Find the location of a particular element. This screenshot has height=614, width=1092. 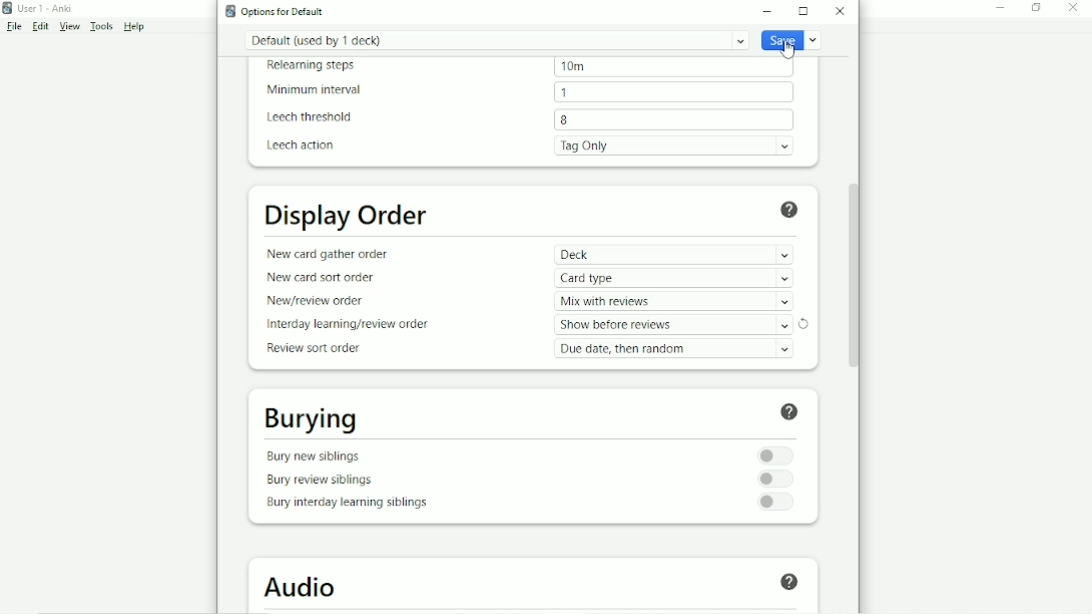

User 1 - Anki is located at coordinates (45, 8).